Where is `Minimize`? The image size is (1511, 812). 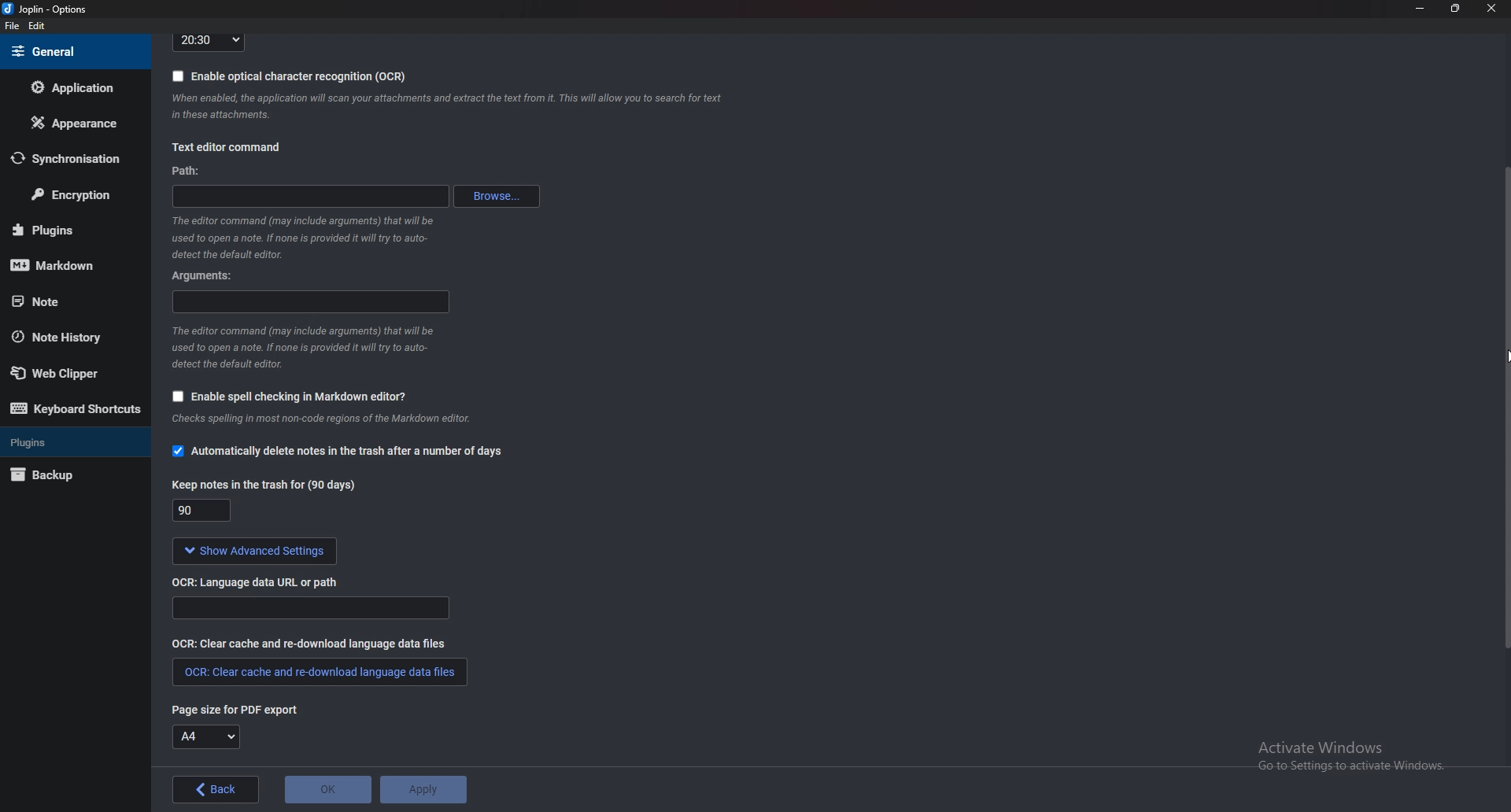 Minimize is located at coordinates (1422, 8).